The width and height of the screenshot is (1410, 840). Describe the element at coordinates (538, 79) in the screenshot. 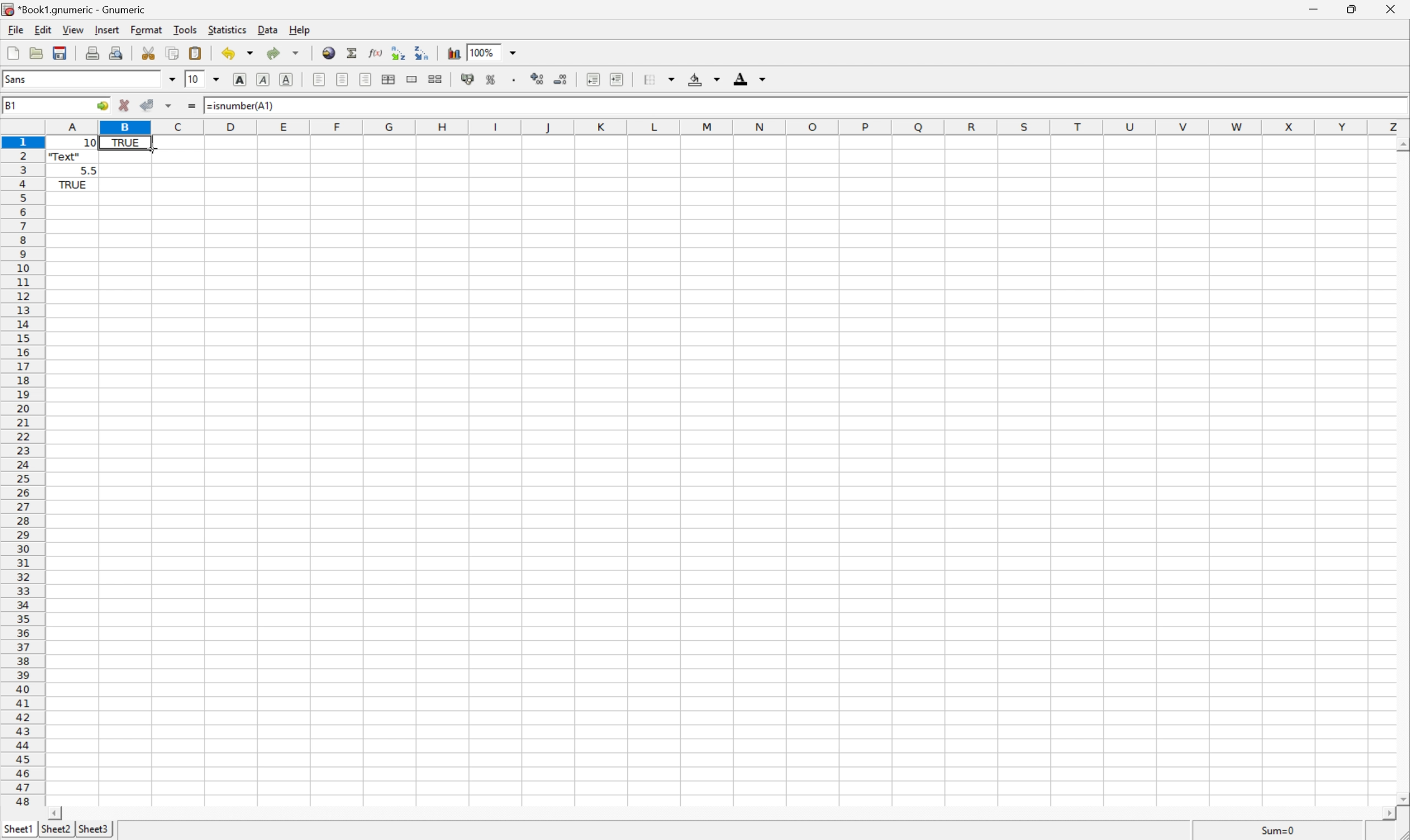

I see `Increase number of decimals displayed` at that location.